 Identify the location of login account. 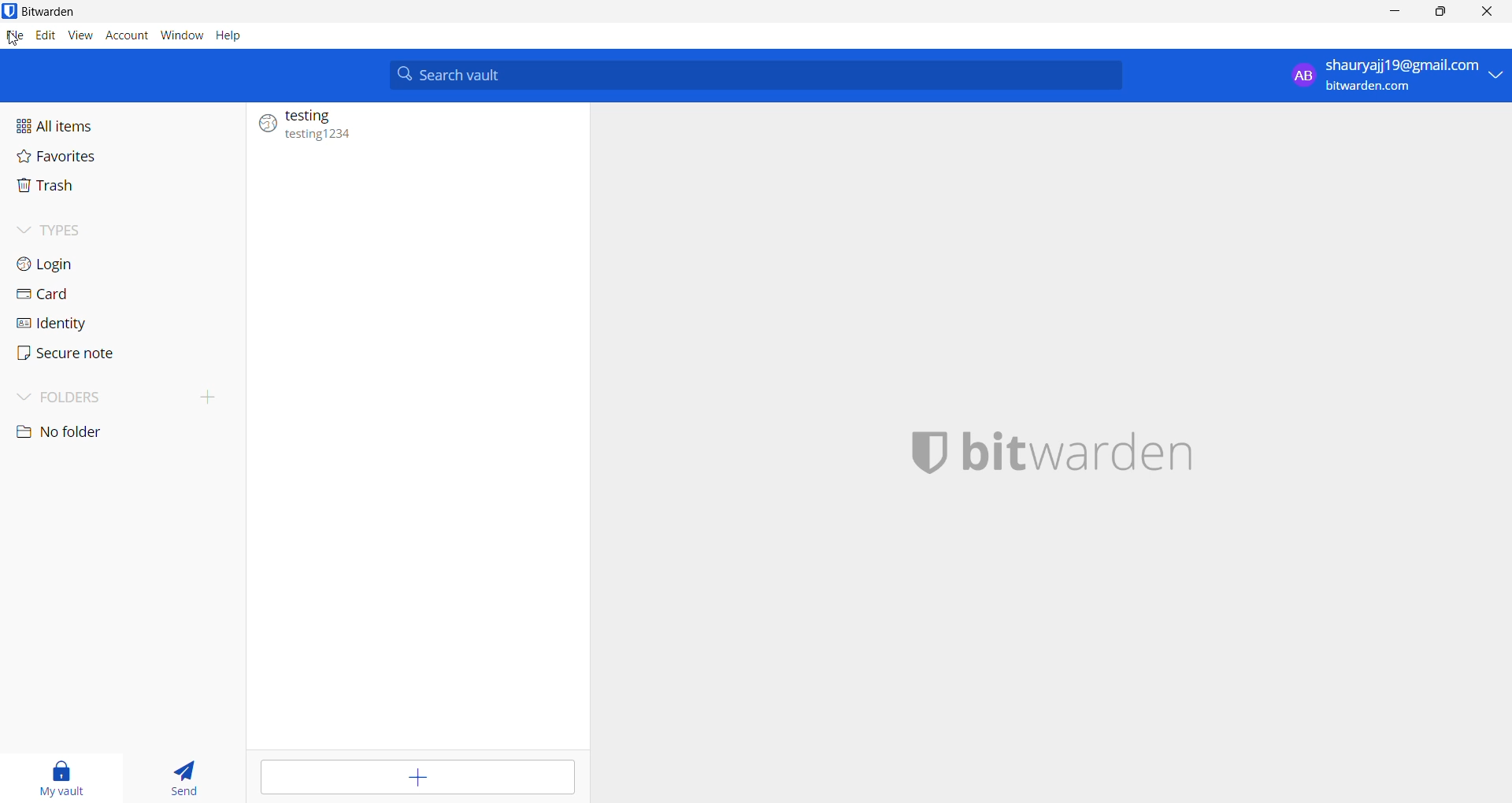
(1392, 75).